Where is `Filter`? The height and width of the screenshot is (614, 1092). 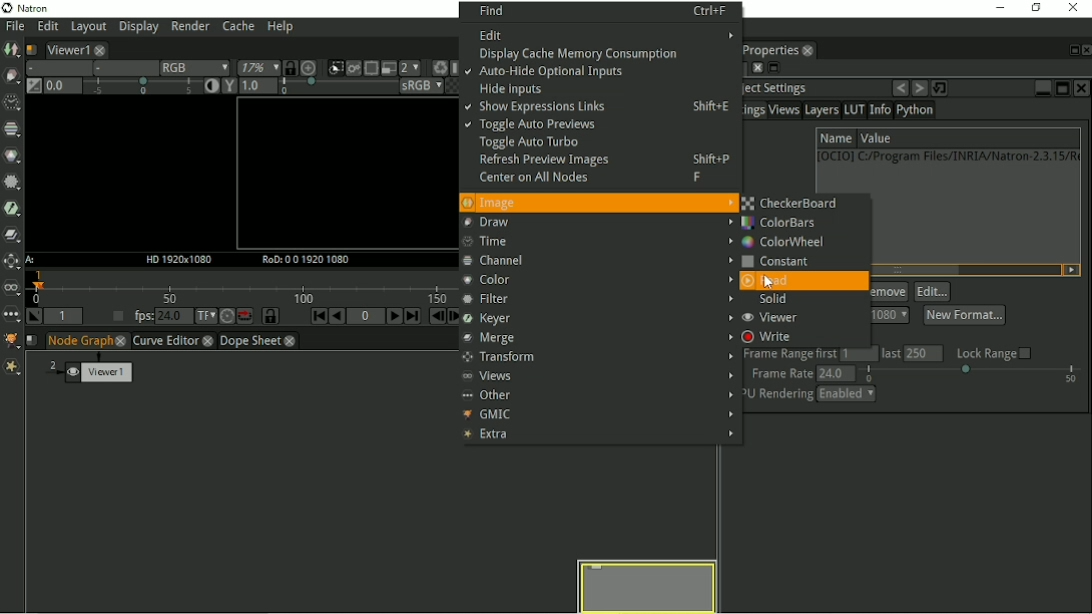
Filter is located at coordinates (11, 181).